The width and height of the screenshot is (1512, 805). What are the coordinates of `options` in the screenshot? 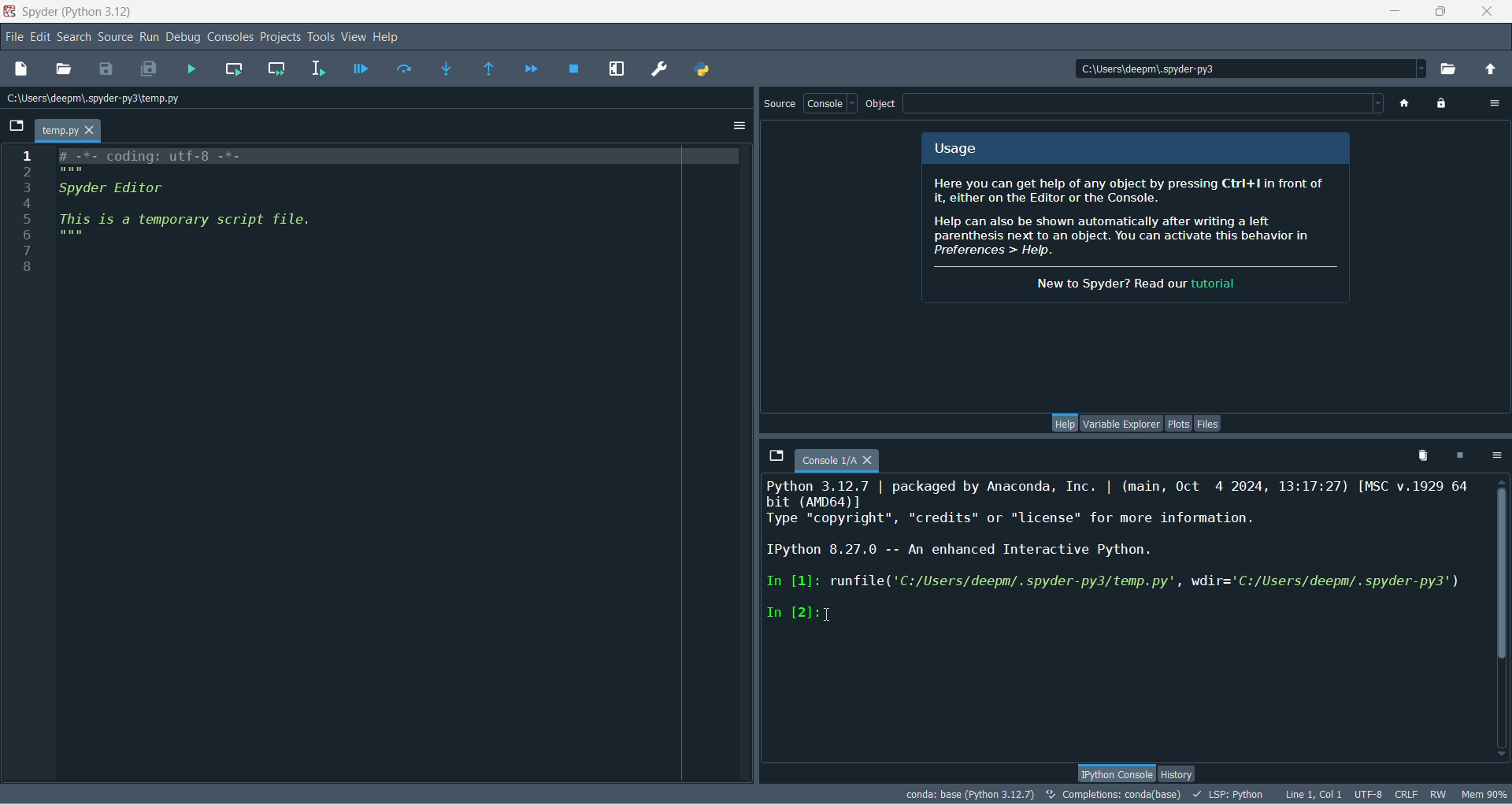 It's located at (1496, 454).